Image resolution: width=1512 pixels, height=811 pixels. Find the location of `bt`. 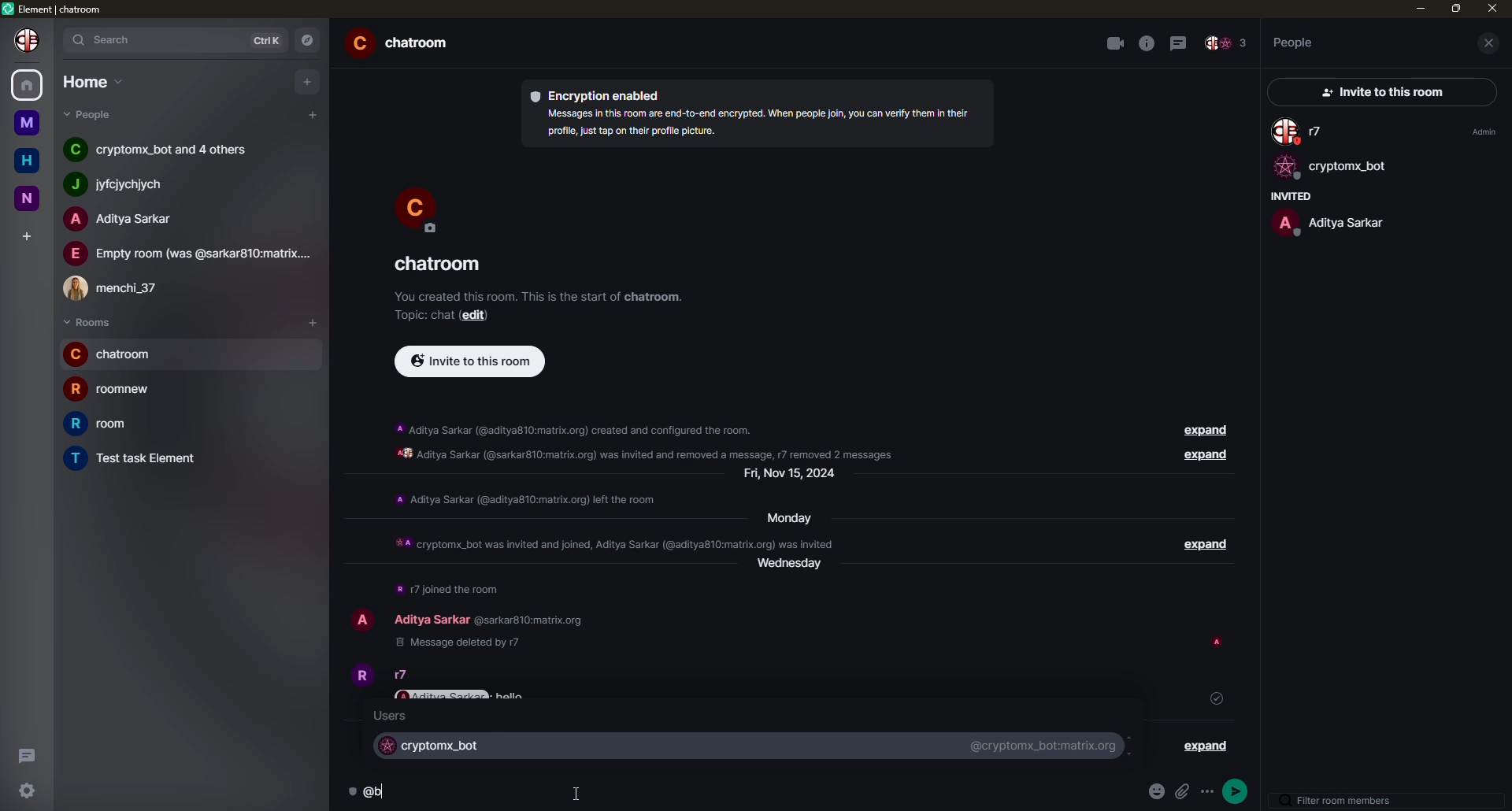

bt is located at coordinates (435, 744).